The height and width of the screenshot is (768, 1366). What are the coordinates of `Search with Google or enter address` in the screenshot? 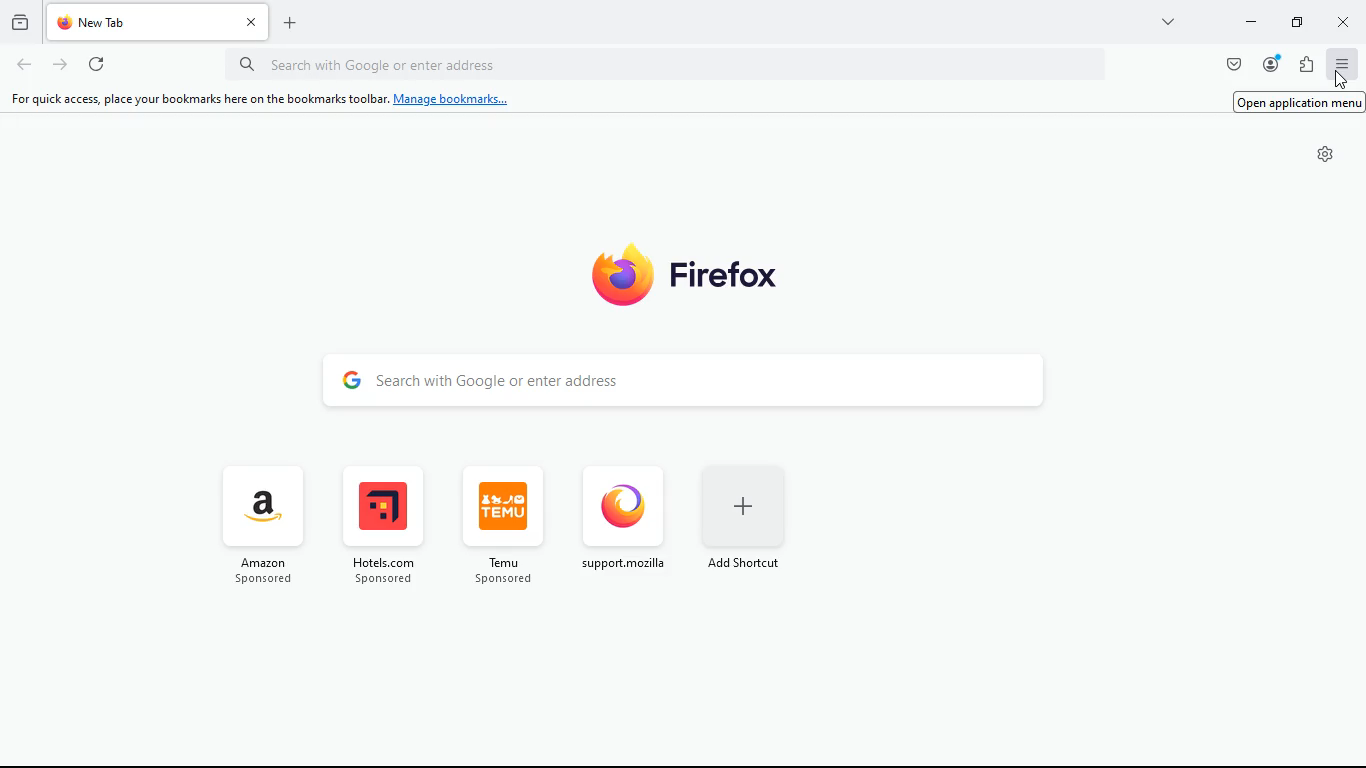 It's located at (686, 378).